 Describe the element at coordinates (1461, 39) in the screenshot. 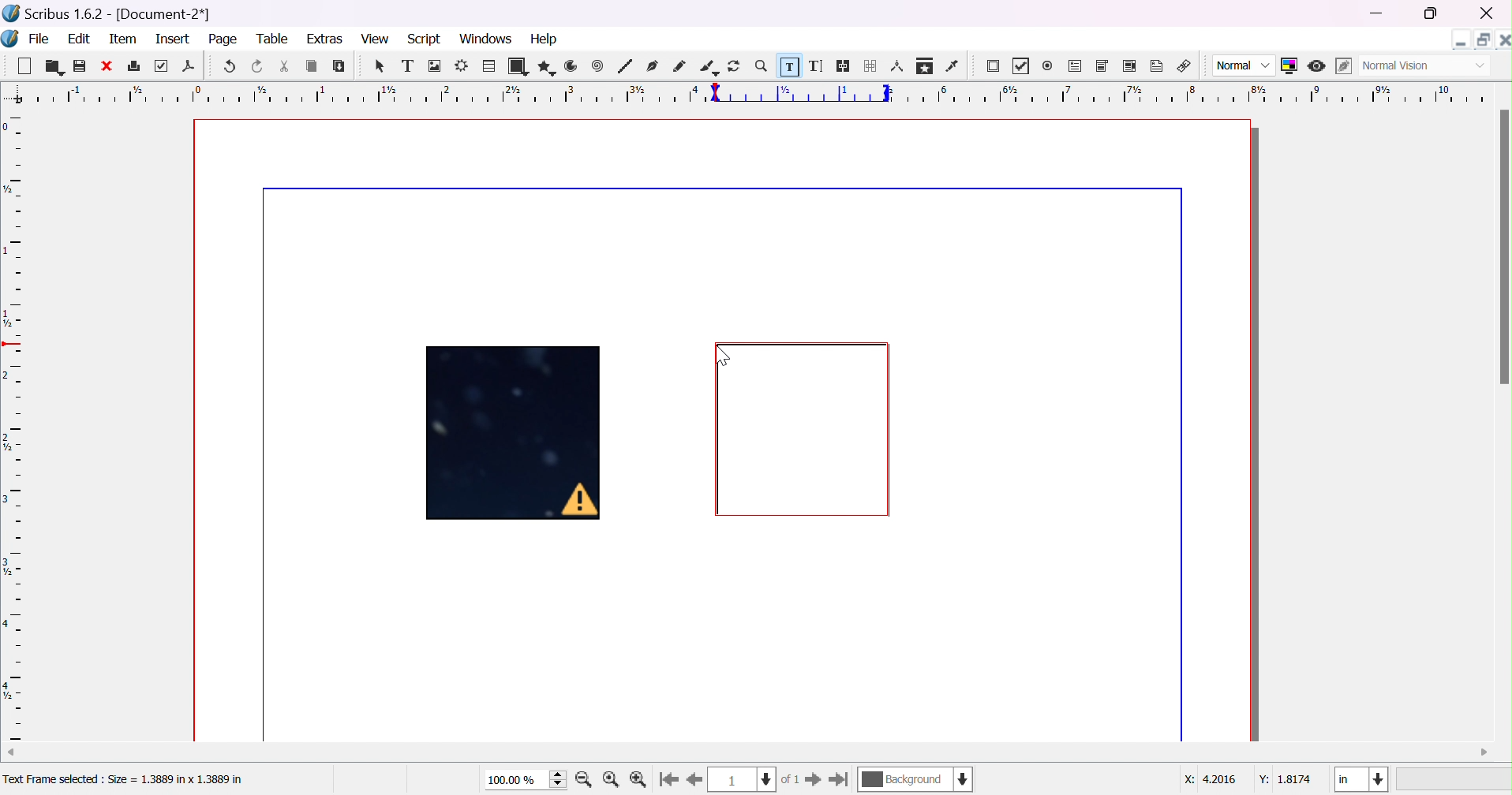

I see `minimize` at that location.